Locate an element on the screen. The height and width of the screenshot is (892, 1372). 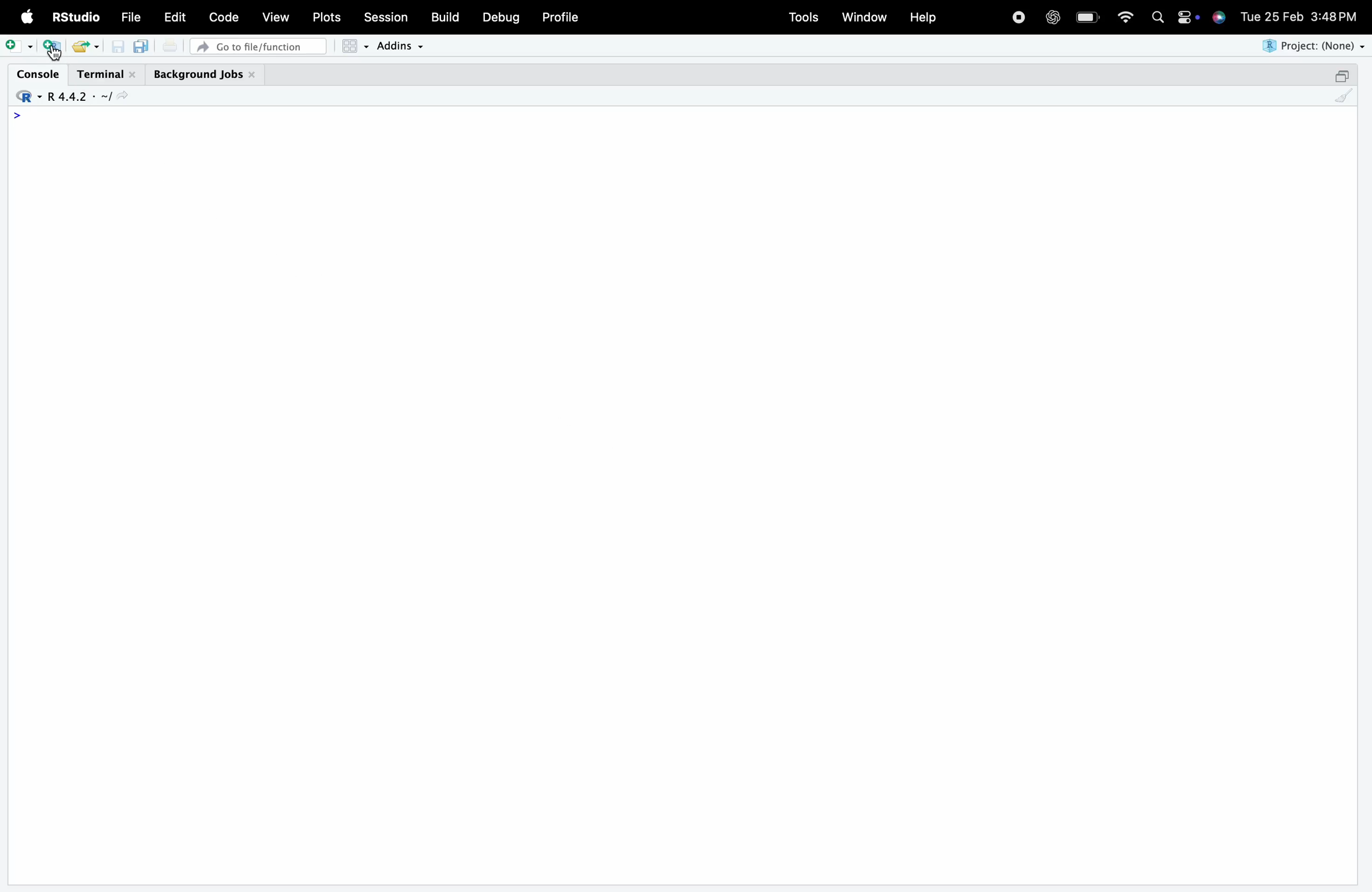
search is located at coordinates (1158, 17).